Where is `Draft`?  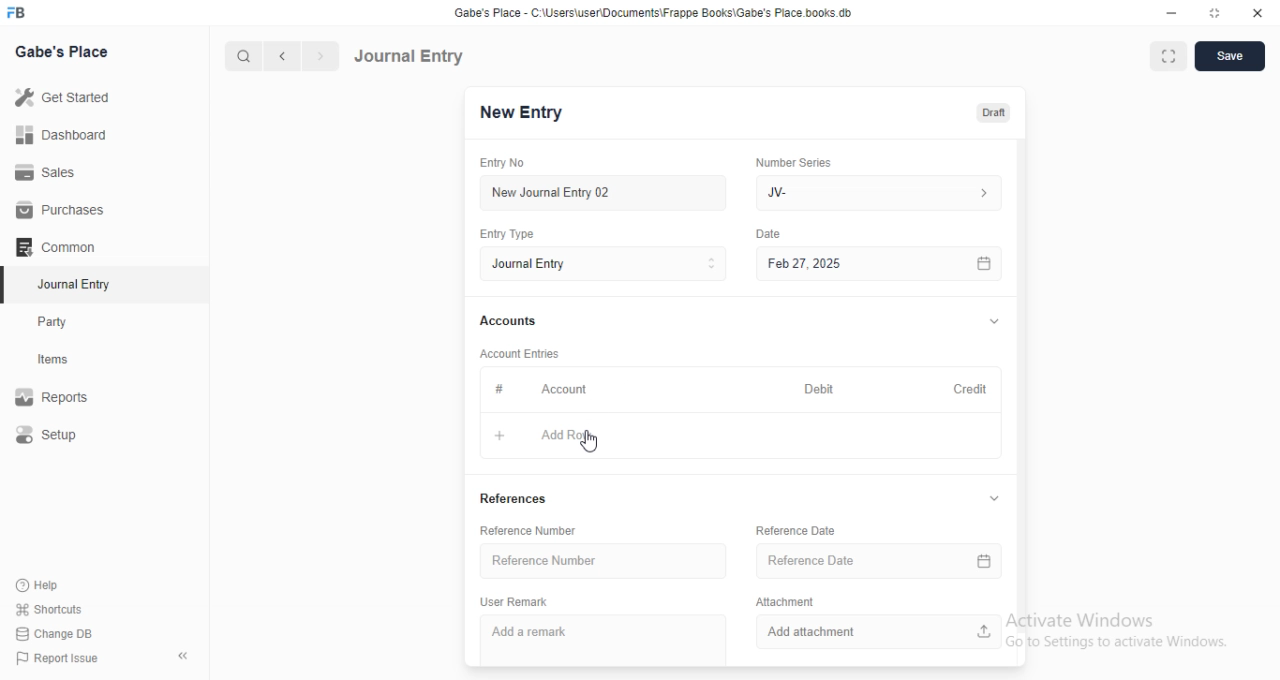 Draft is located at coordinates (996, 112).